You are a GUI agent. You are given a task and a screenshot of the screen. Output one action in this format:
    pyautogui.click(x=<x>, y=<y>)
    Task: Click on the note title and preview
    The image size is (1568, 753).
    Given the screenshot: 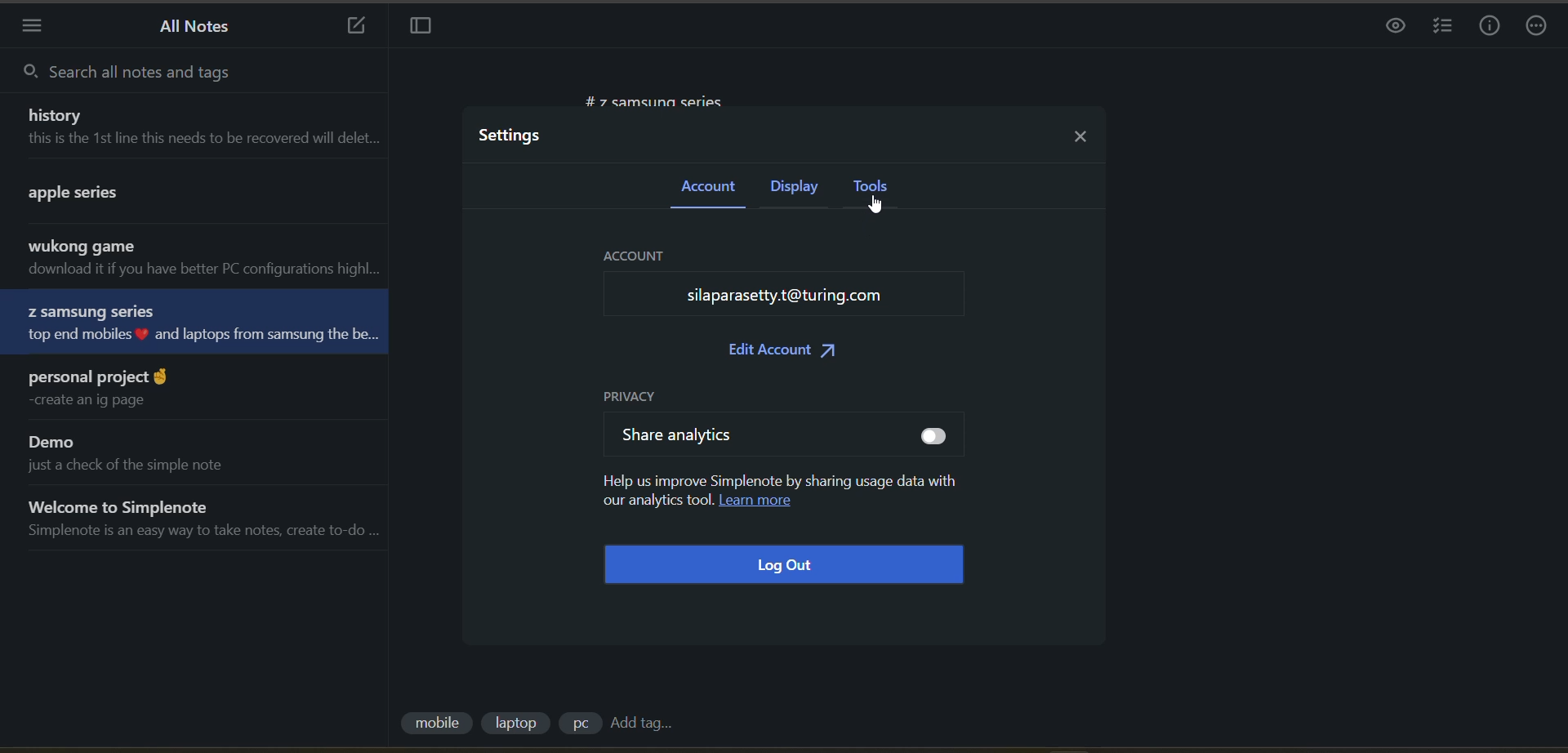 What is the action you would take?
    pyautogui.click(x=155, y=453)
    